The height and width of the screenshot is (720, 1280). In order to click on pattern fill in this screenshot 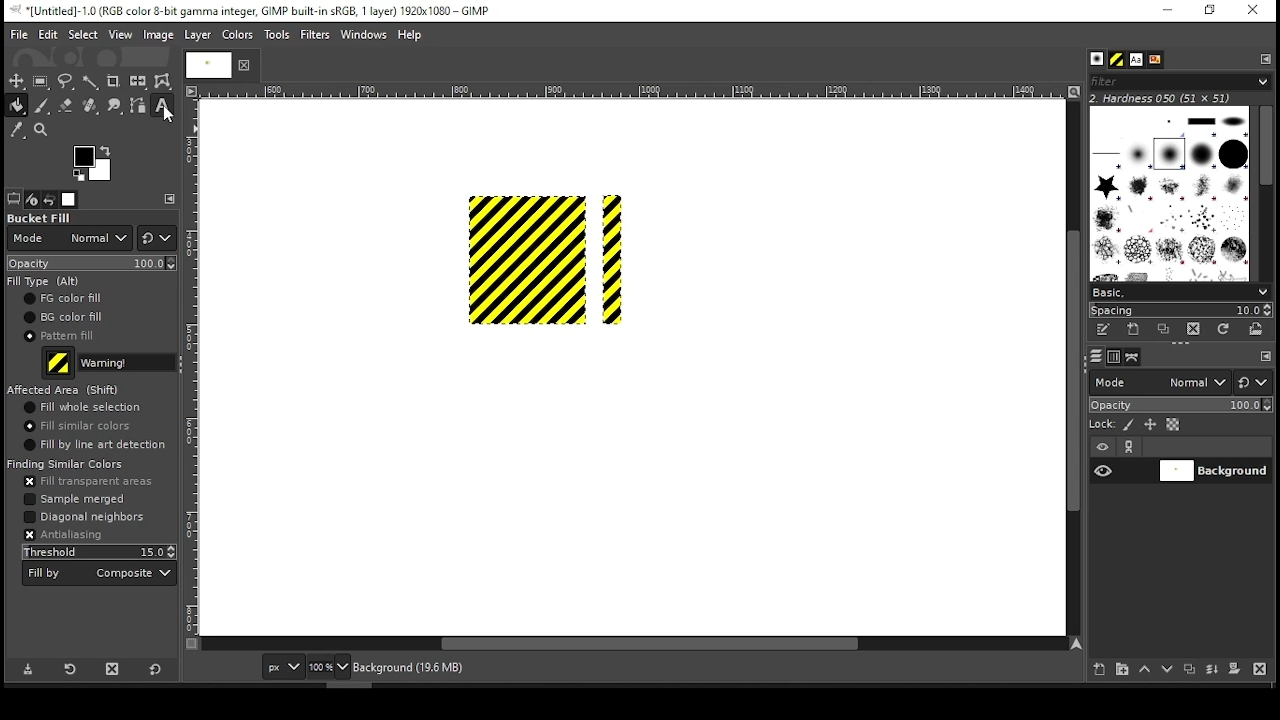, I will do `click(59, 335)`.